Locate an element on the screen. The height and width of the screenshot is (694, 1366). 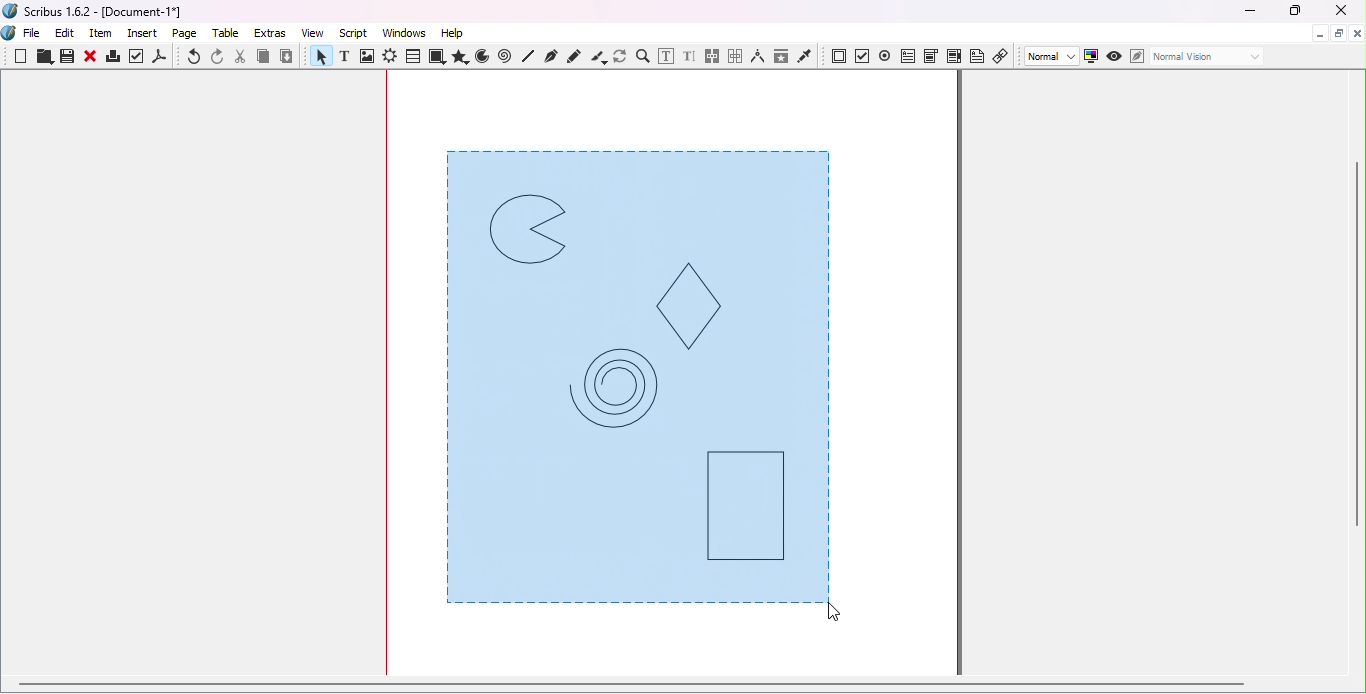
Table is located at coordinates (412, 57).